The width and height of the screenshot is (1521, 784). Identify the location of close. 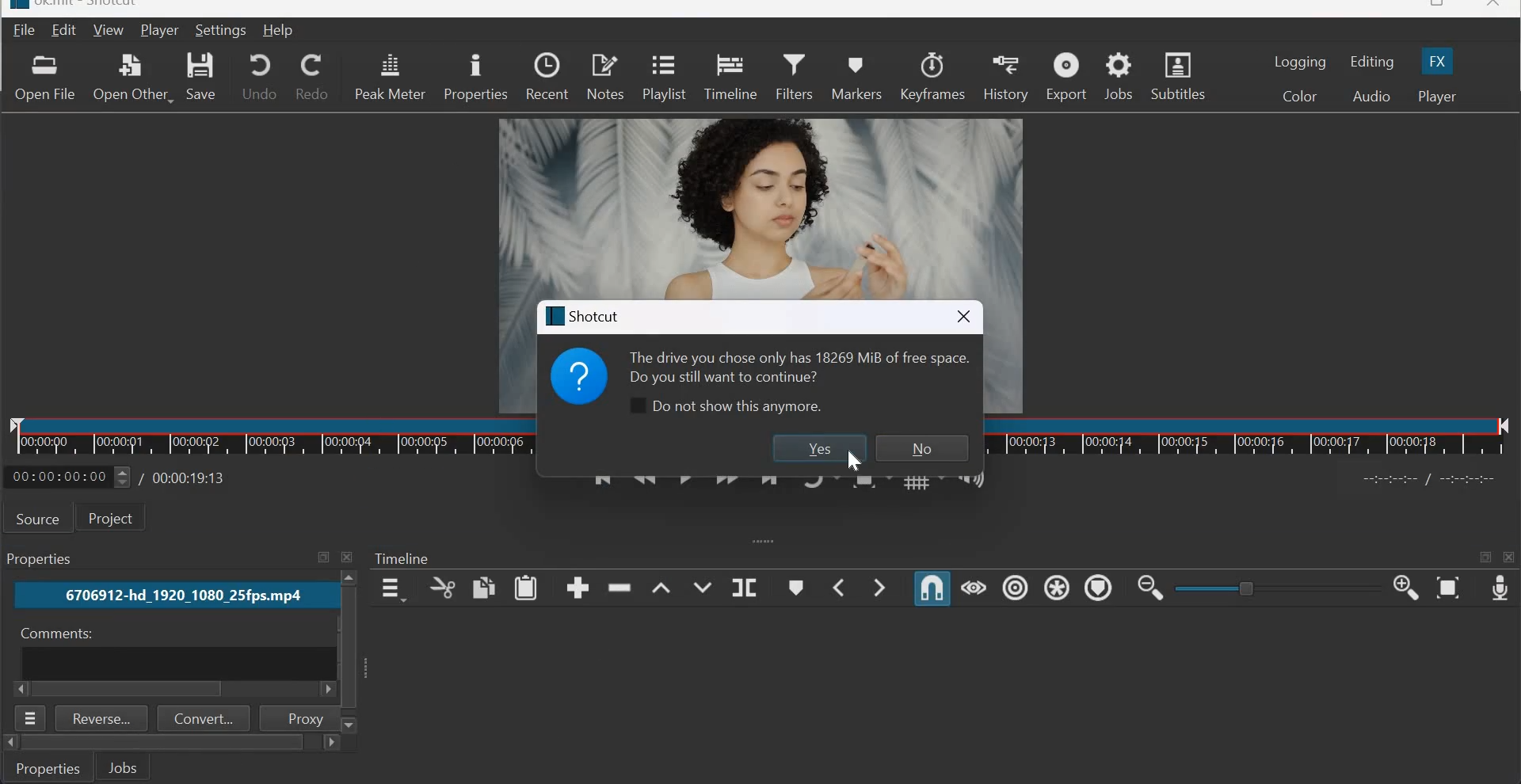
(1510, 558).